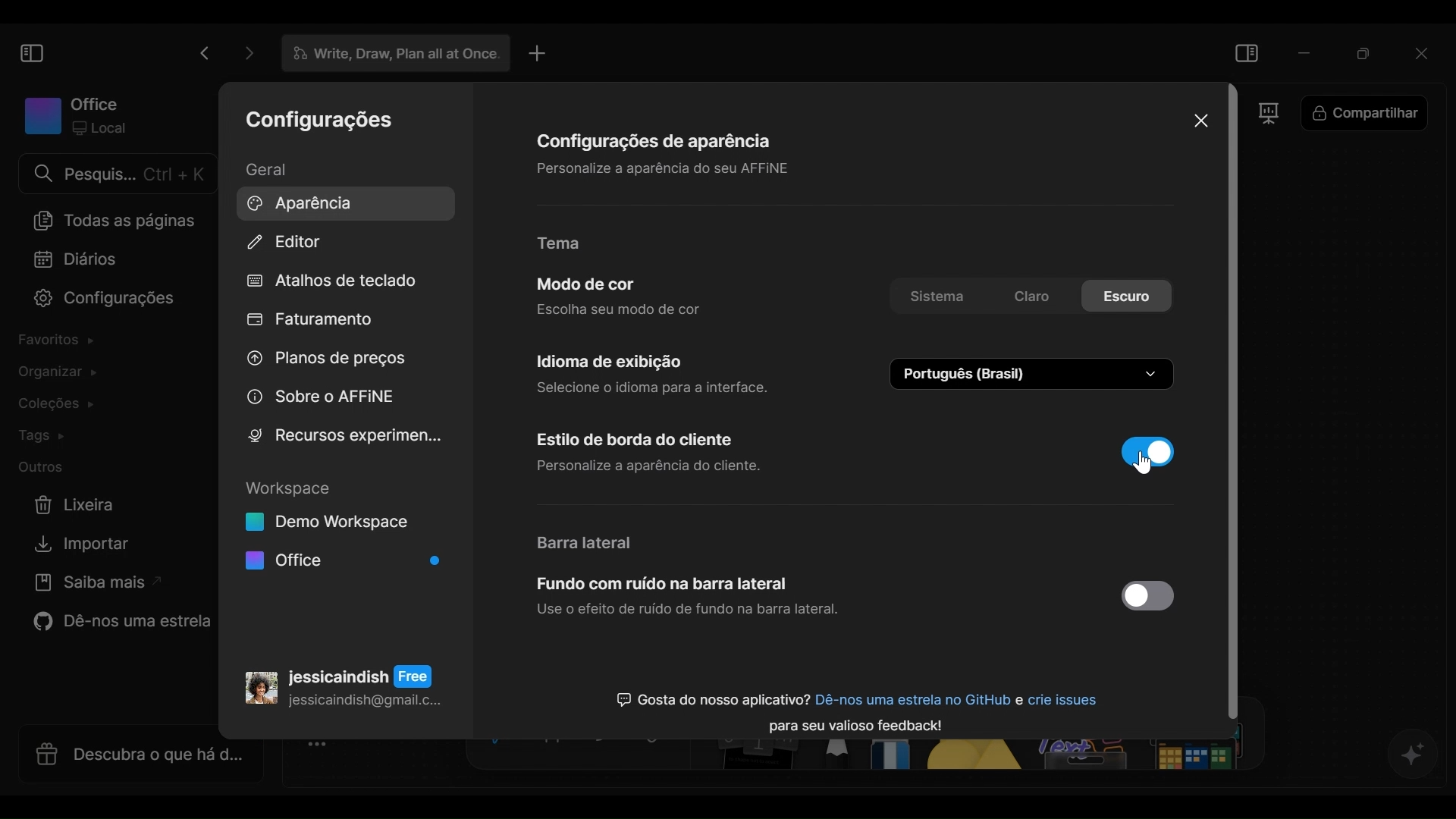  What do you see at coordinates (588, 542) in the screenshot?
I see `Sidebar` at bounding box center [588, 542].